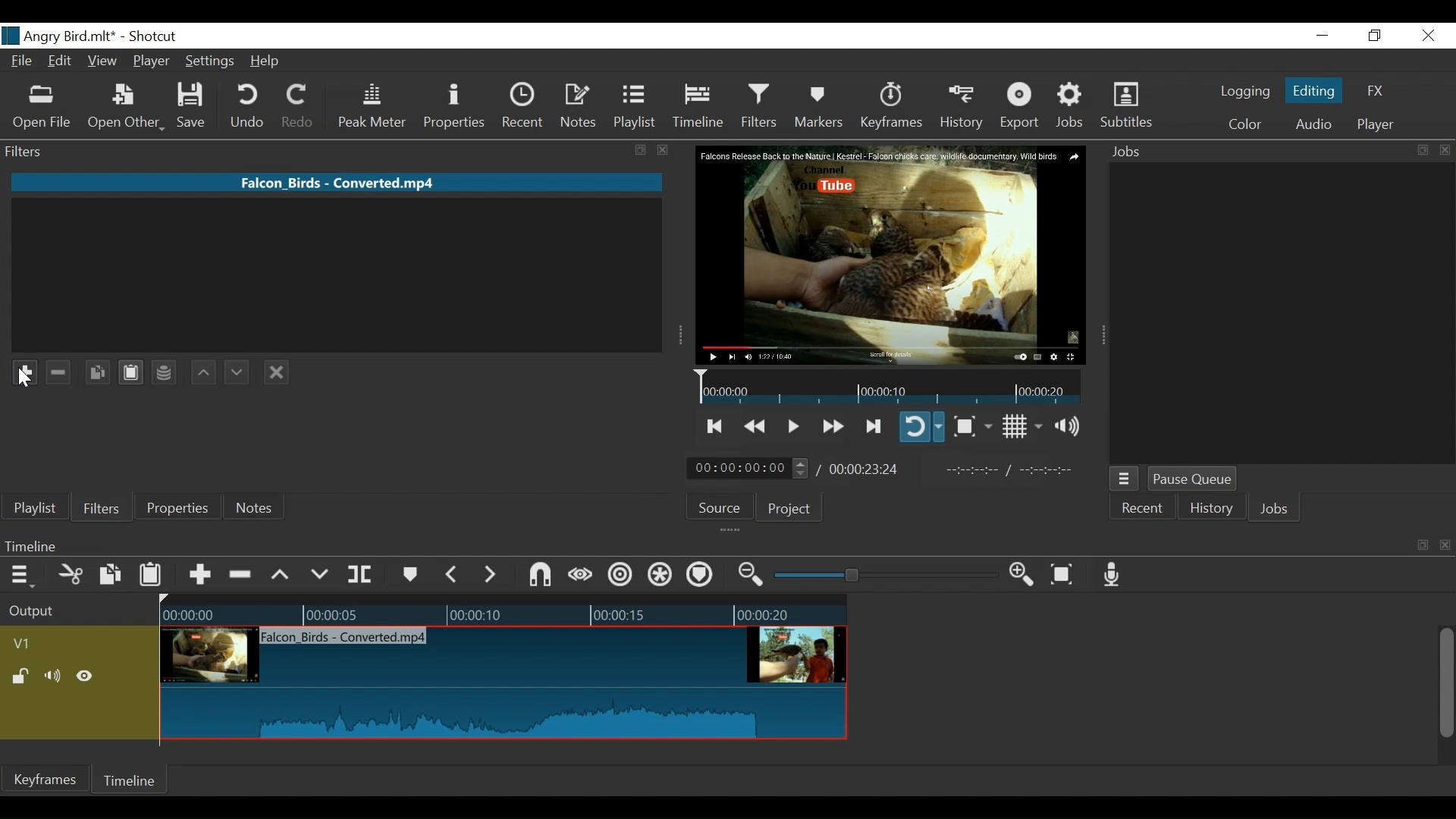 This screenshot has width=1456, height=819. Describe the element at coordinates (579, 106) in the screenshot. I see `Notes` at that location.